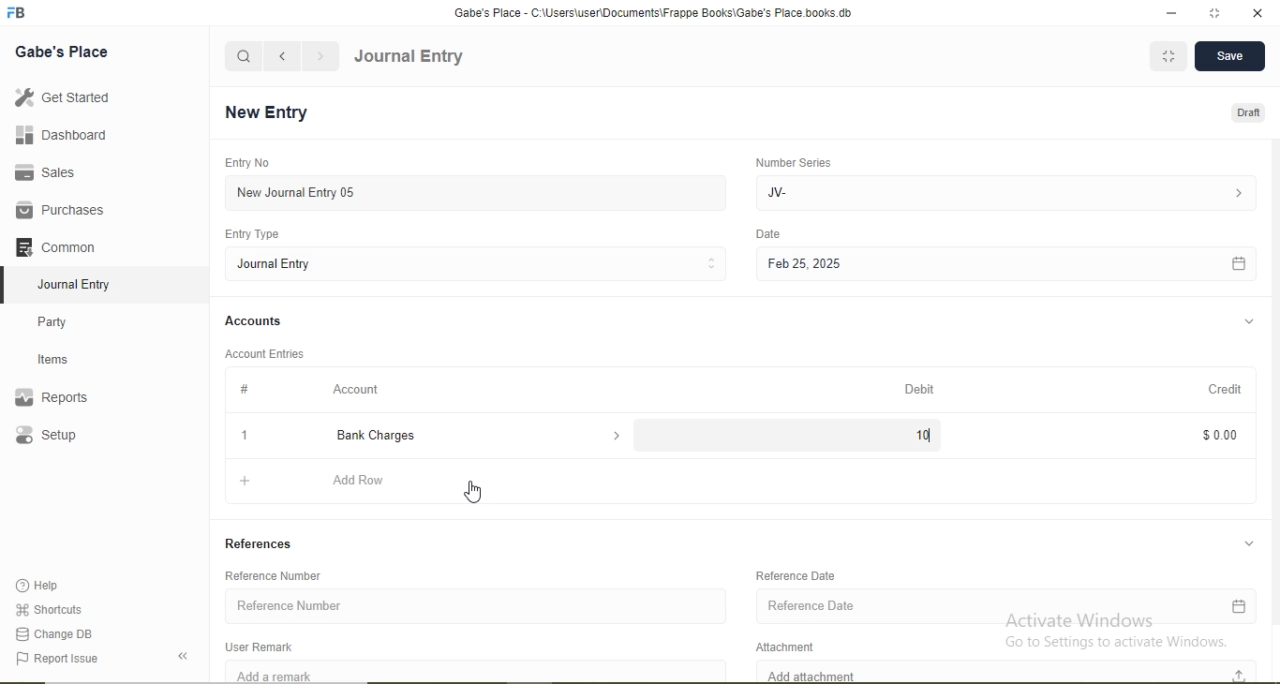 Image resolution: width=1280 pixels, height=684 pixels. Describe the element at coordinates (78, 659) in the screenshot. I see `‘Report Issue` at that location.